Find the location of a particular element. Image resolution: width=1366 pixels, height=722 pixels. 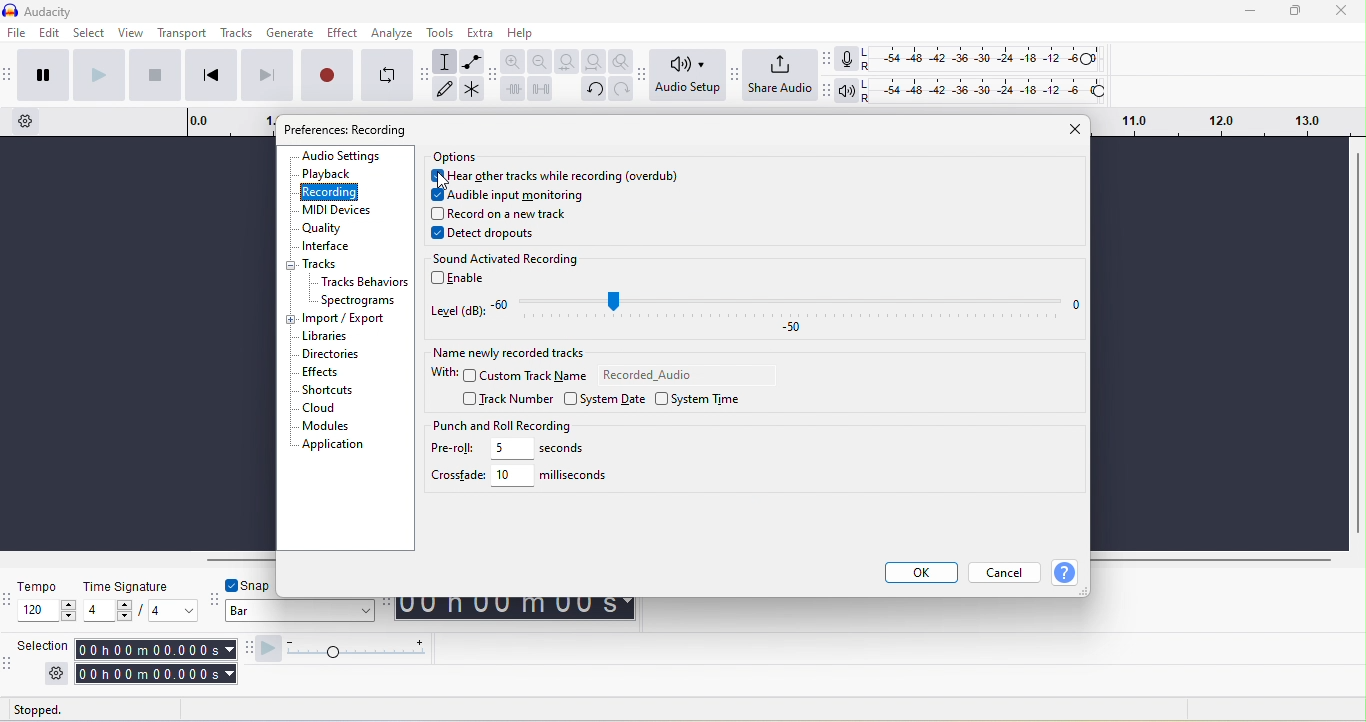

playback level is located at coordinates (984, 91).